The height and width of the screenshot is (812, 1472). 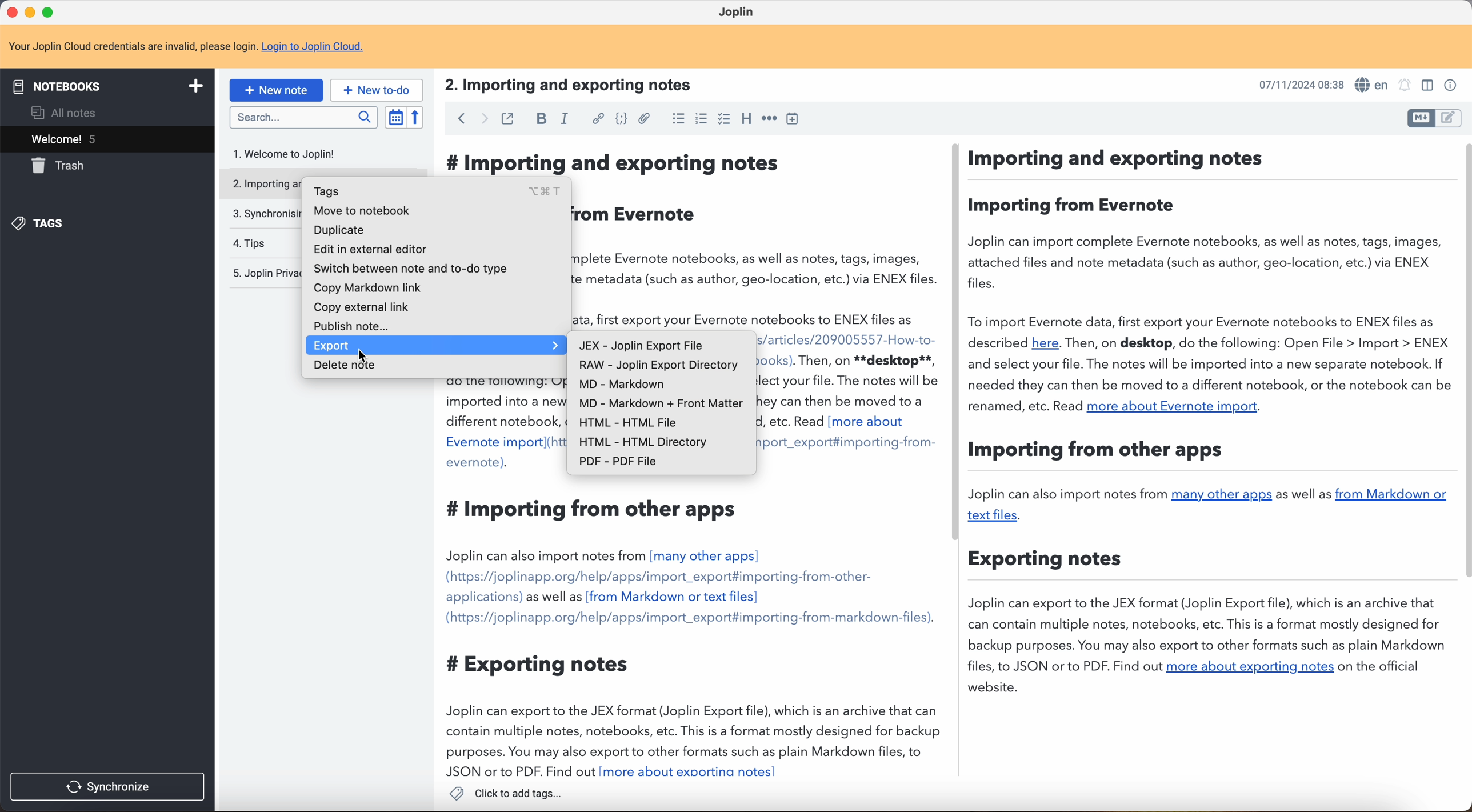 What do you see at coordinates (32, 11) in the screenshot?
I see `minimize` at bounding box center [32, 11].